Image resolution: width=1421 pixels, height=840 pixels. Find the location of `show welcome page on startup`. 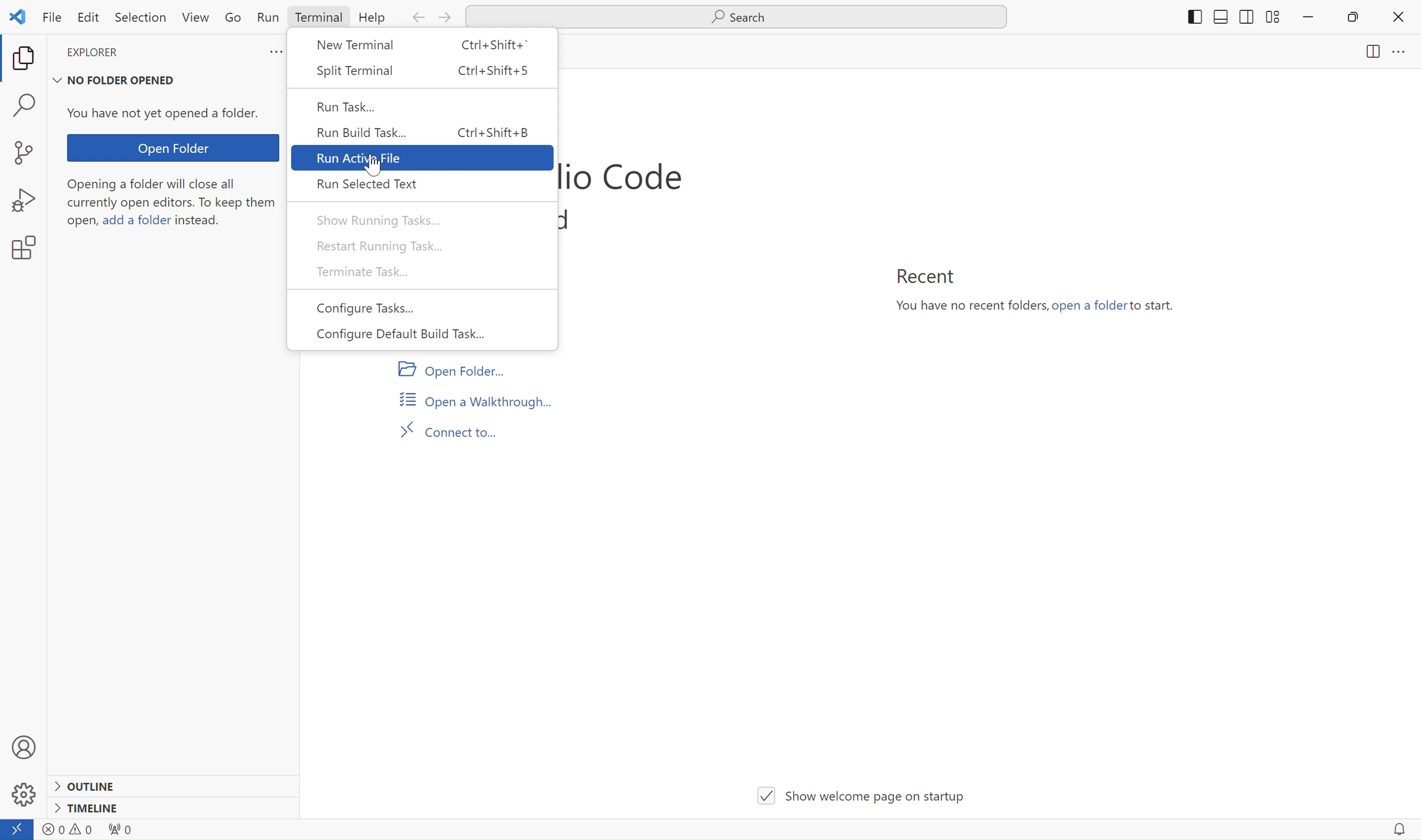

show welcome page on startup is located at coordinates (859, 786).